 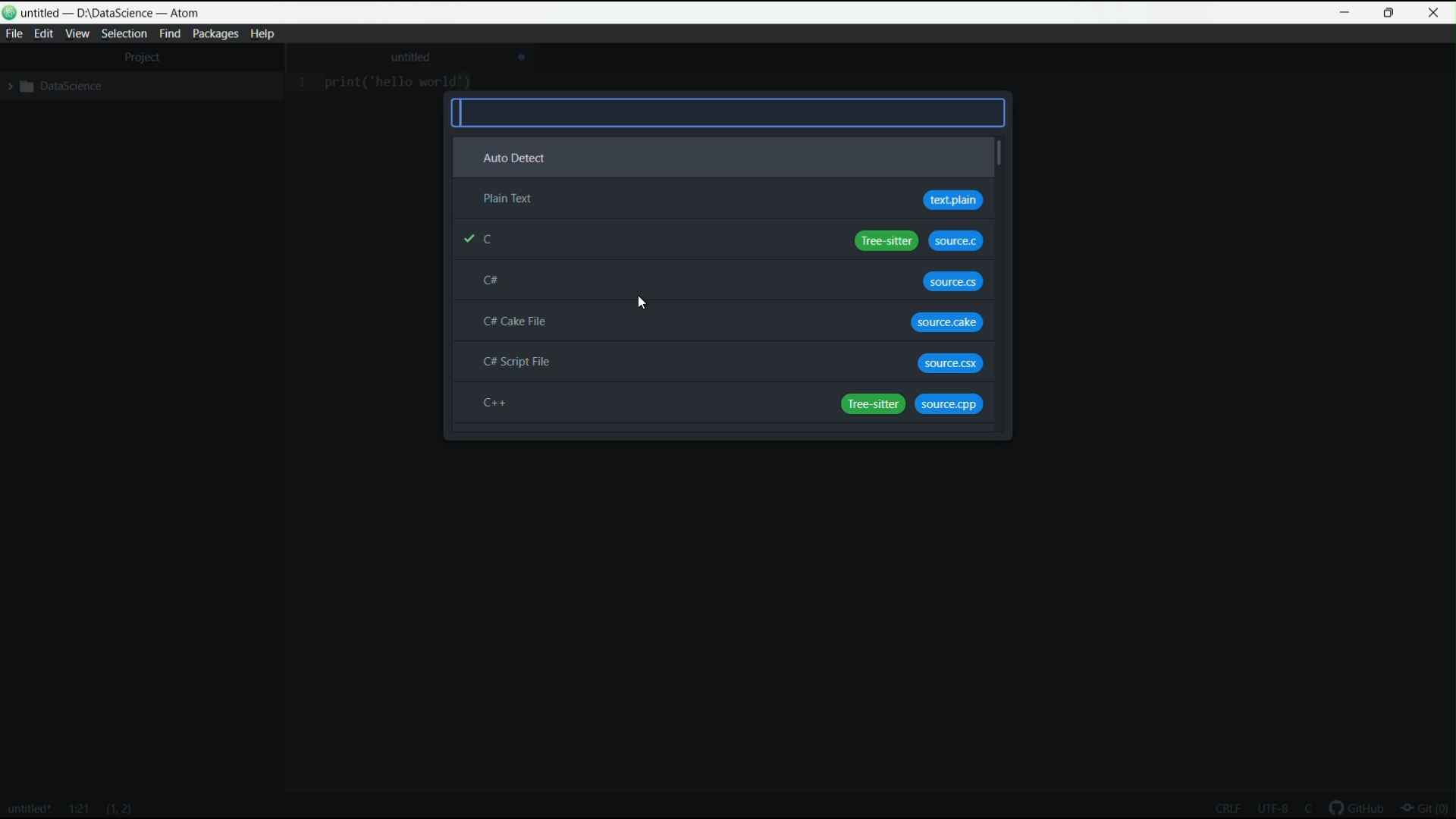 What do you see at coordinates (53, 86) in the screenshot?
I see `expand folder` at bounding box center [53, 86].